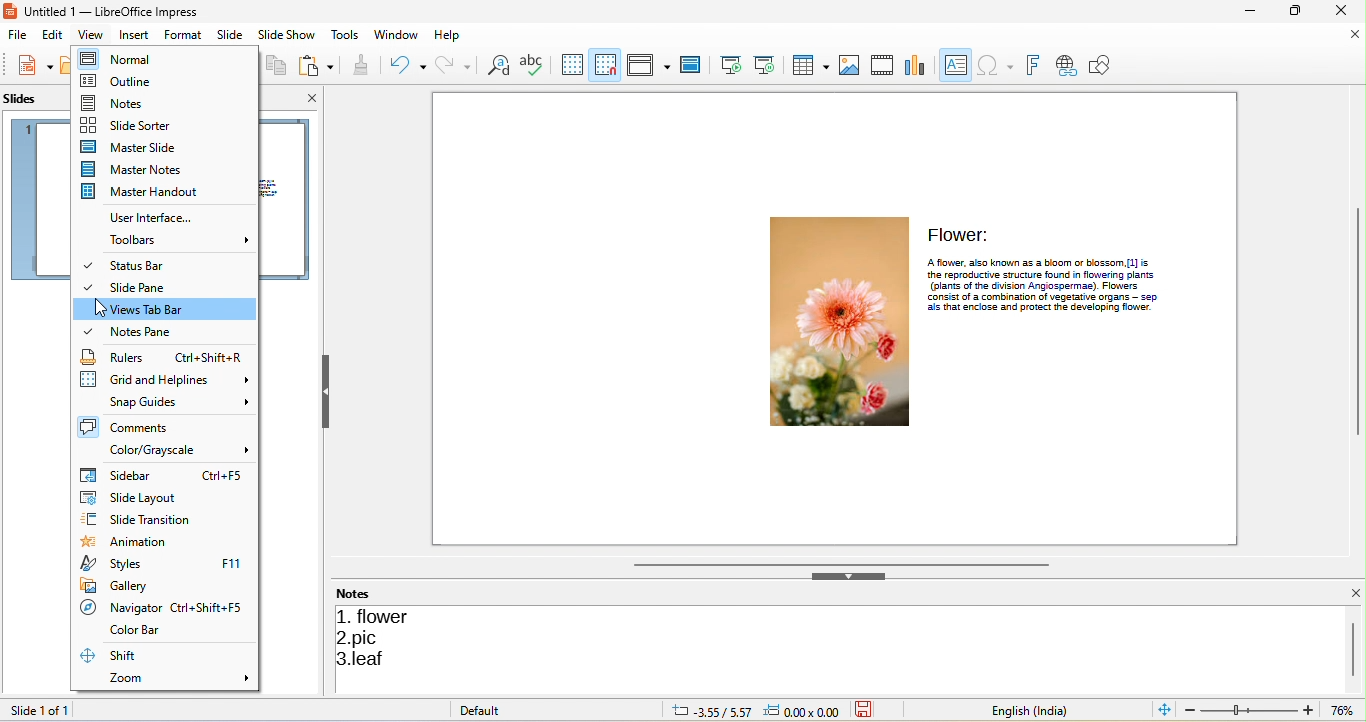 This screenshot has height=722, width=1366. Describe the element at coordinates (140, 267) in the screenshot. I see `status bar` at that location.